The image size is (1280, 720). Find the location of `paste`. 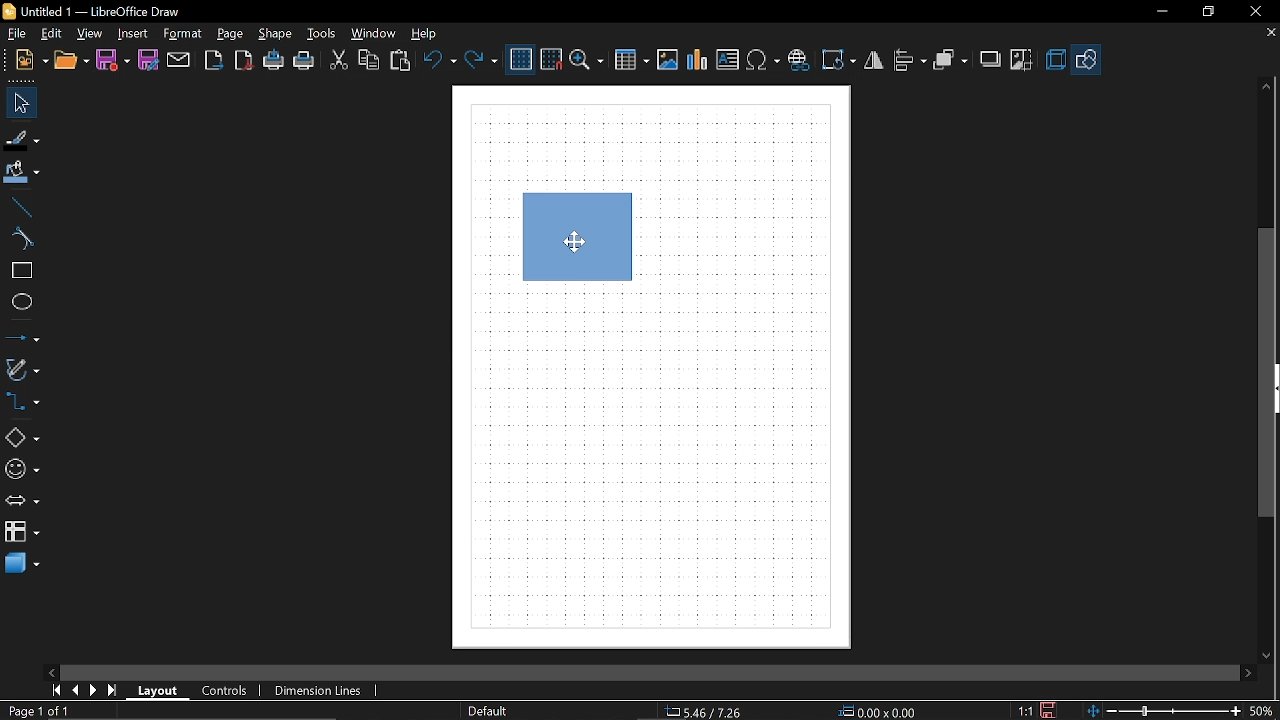

paste is located at coordinates (401, 61).